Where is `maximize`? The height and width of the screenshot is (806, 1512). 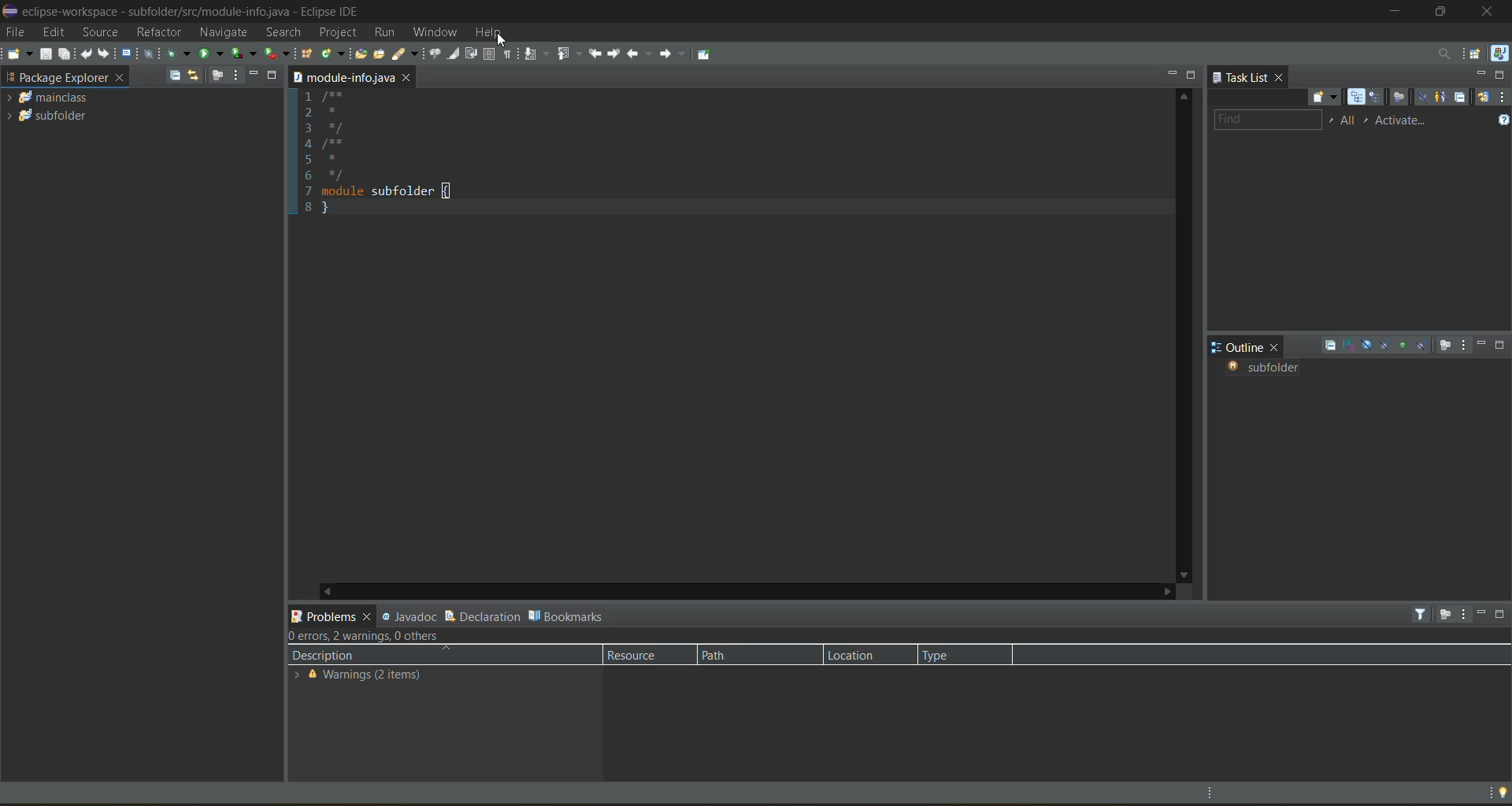 maximize is located at coordinates (274, 76).